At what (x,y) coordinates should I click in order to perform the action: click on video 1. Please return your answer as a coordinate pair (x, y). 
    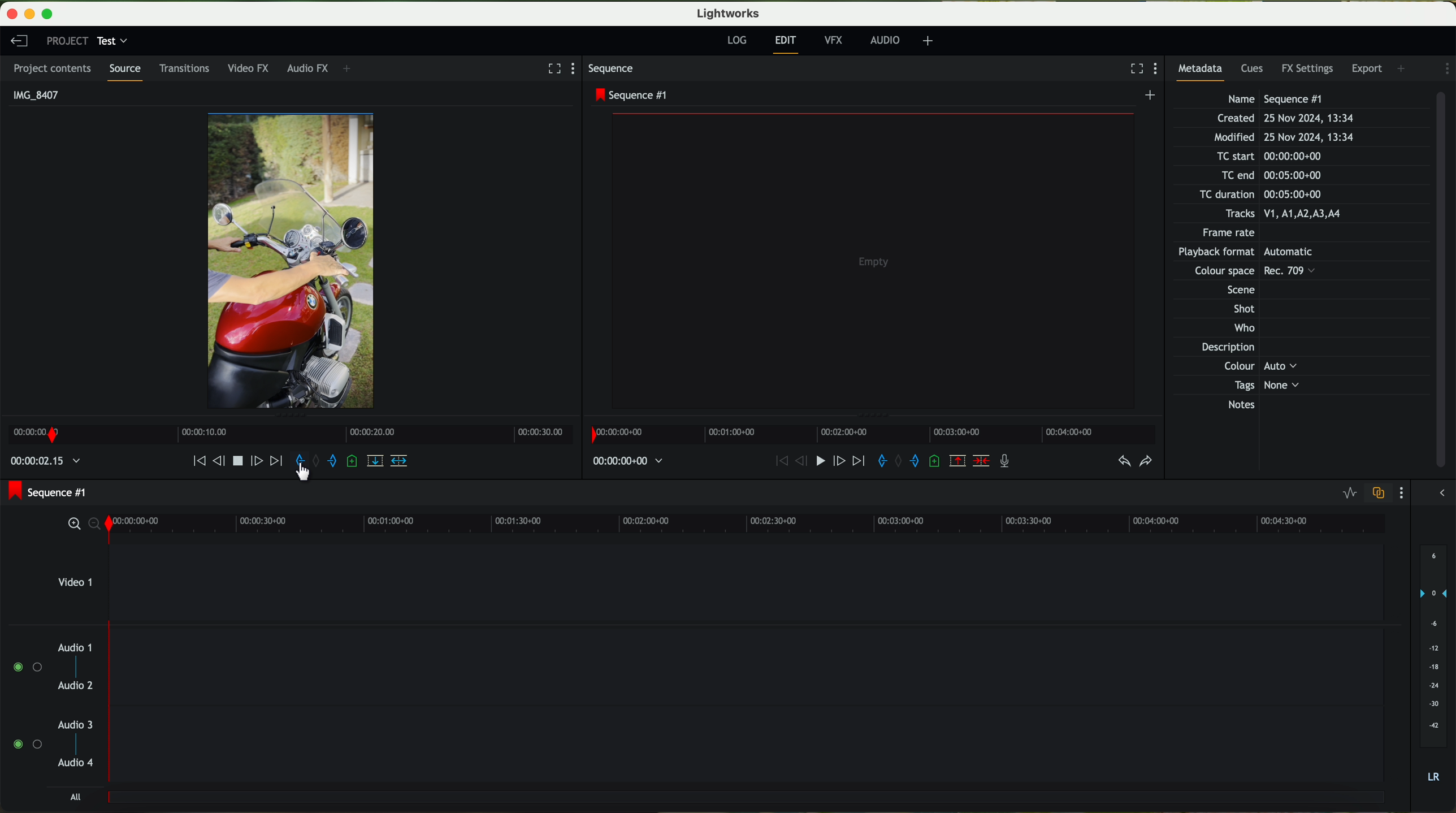
    Looking at the image, I should click on (700, 581).